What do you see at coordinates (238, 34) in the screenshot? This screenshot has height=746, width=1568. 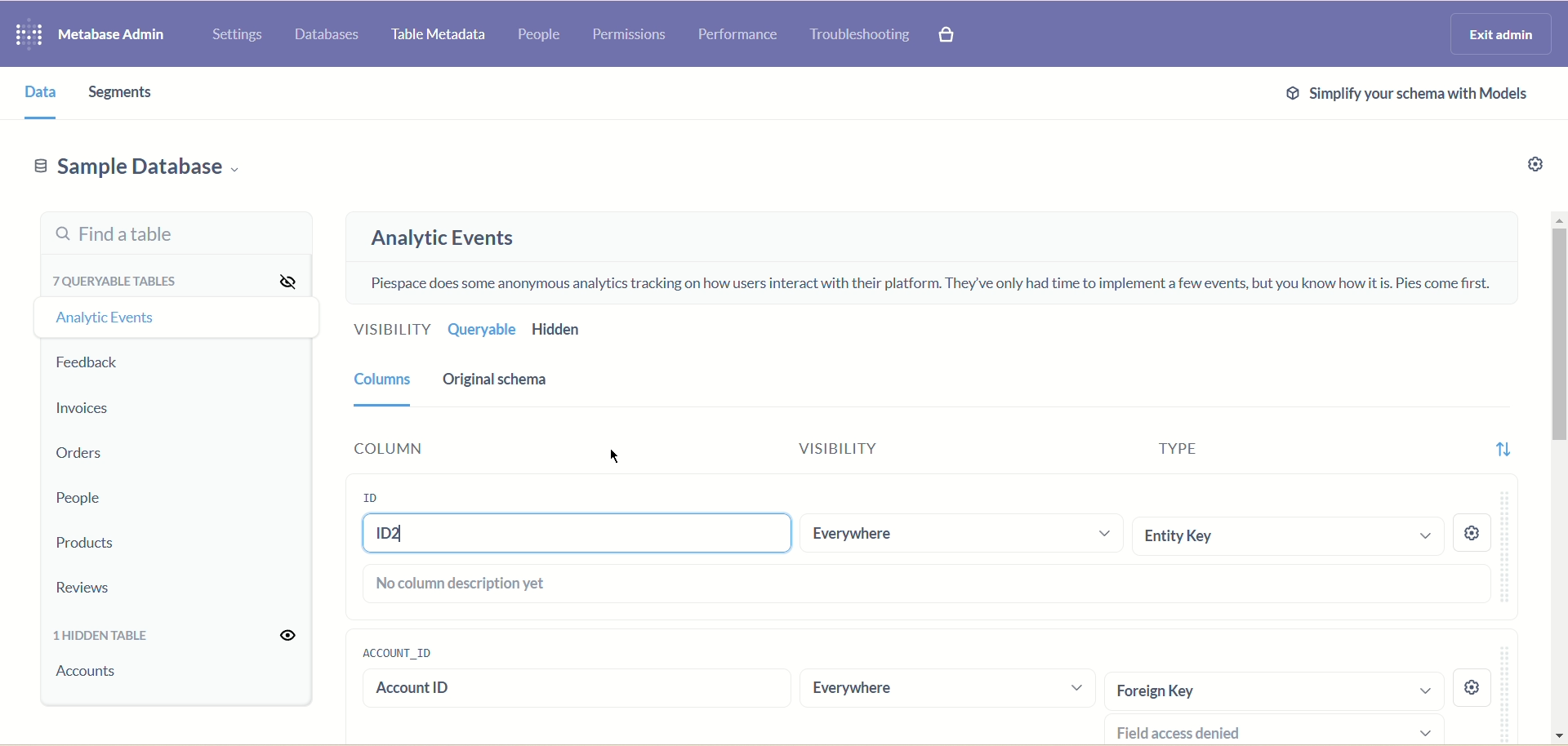 I see `Settings` at bounding box center [238, 34].